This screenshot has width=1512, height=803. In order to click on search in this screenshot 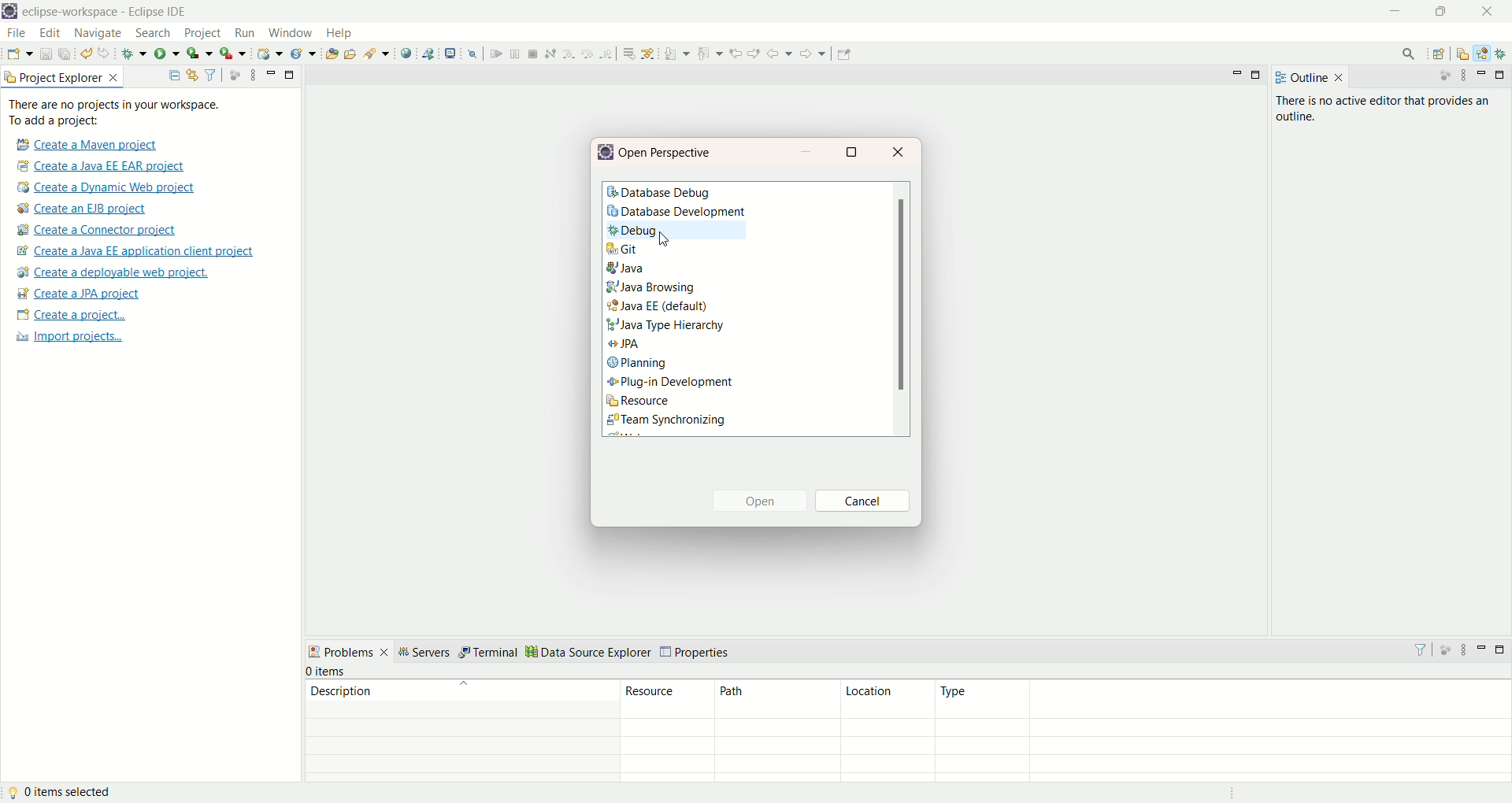, I will do `click(1406, 53)`.